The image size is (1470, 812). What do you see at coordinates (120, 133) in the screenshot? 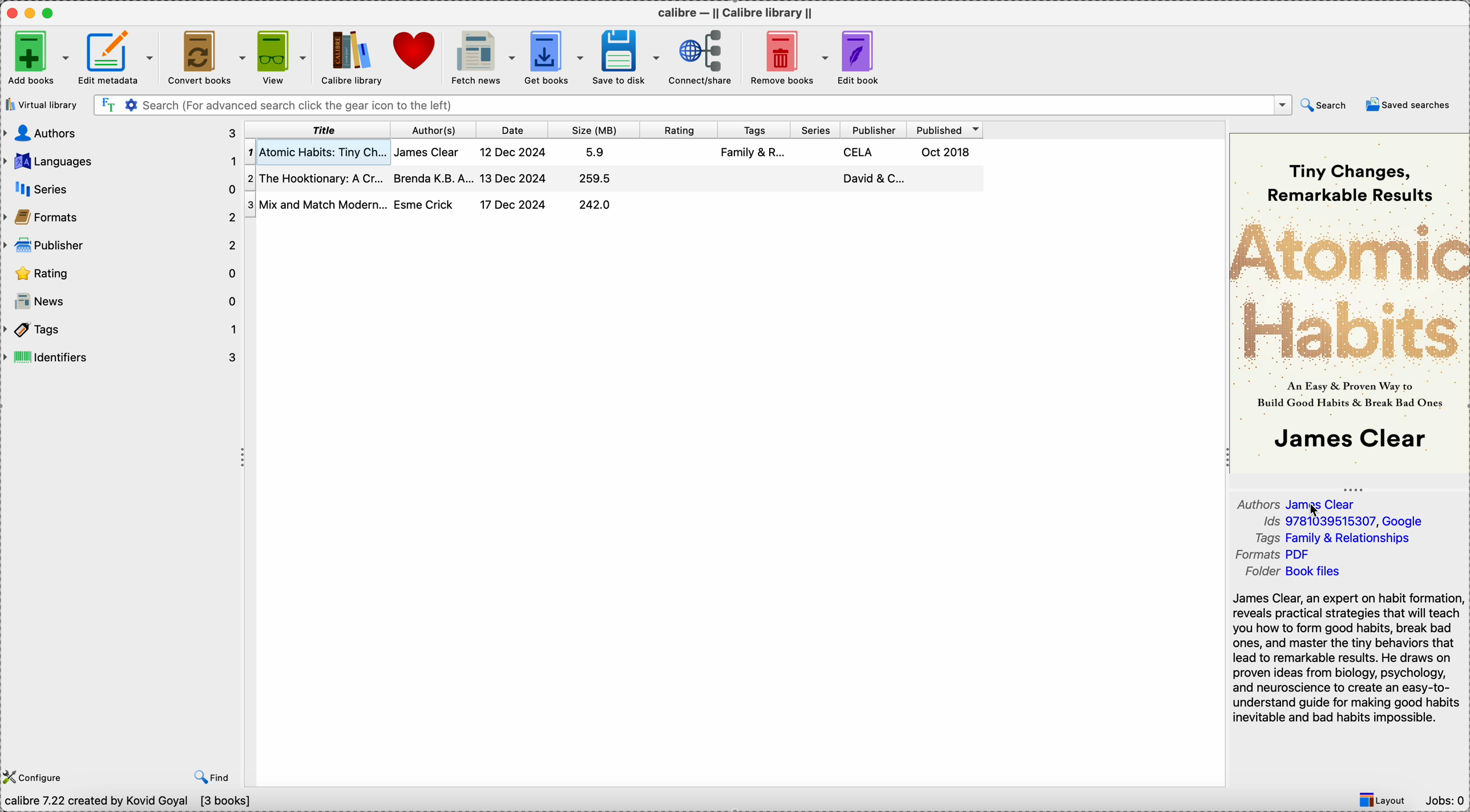
I see `authors` at bounding box center [120, 133].